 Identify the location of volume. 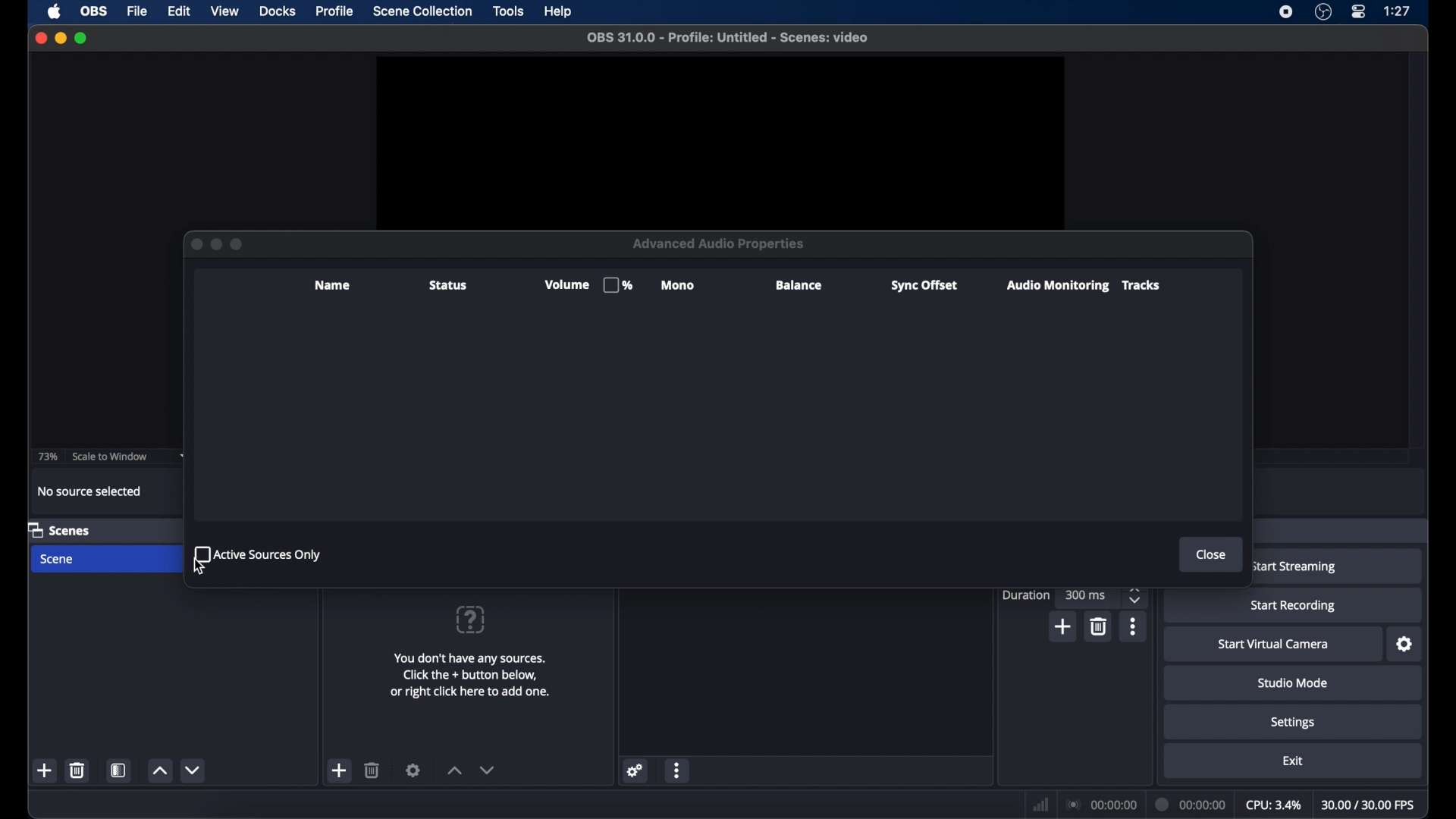
(586, 285).